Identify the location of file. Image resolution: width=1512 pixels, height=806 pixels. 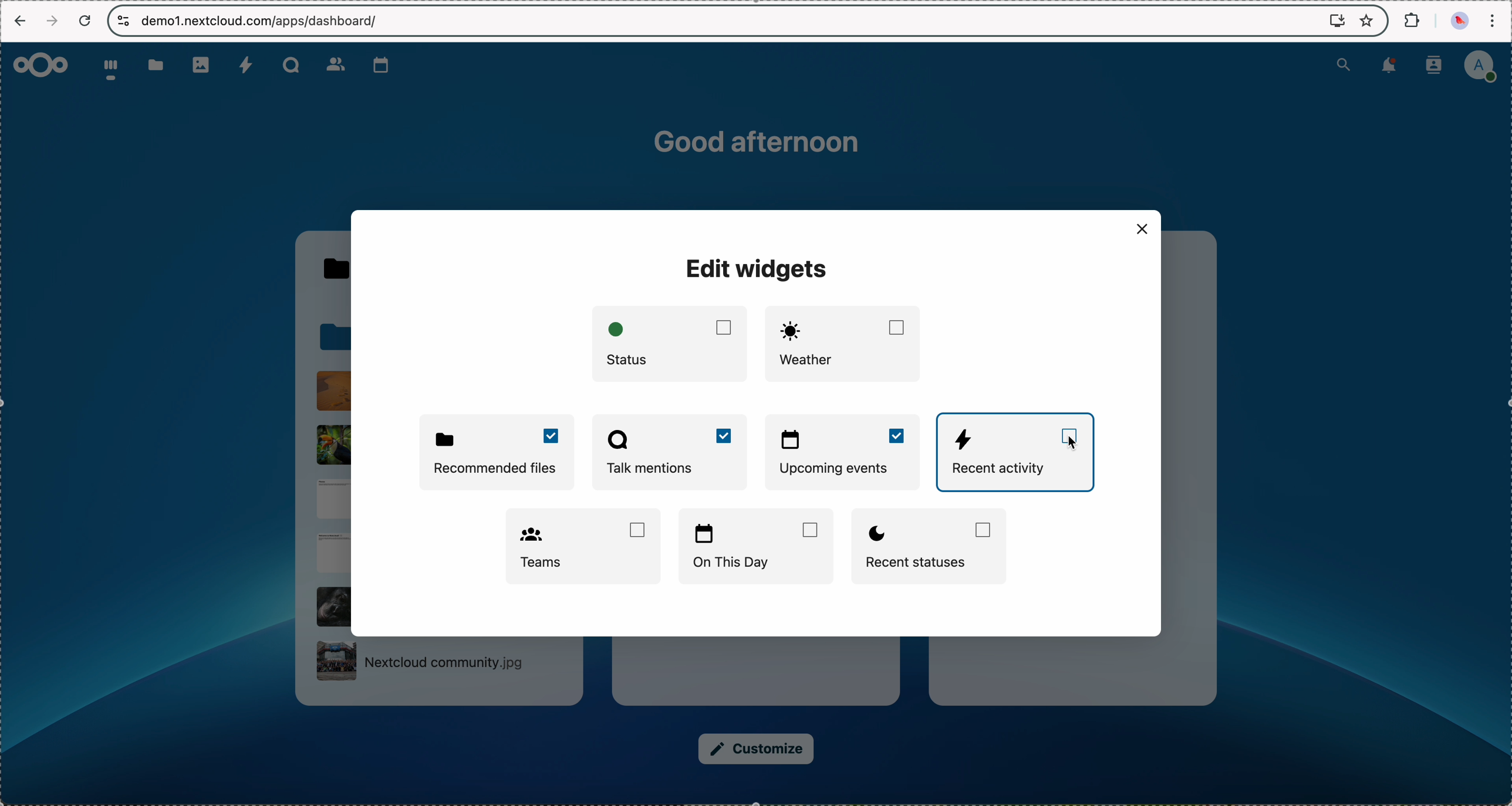
(332, 556).